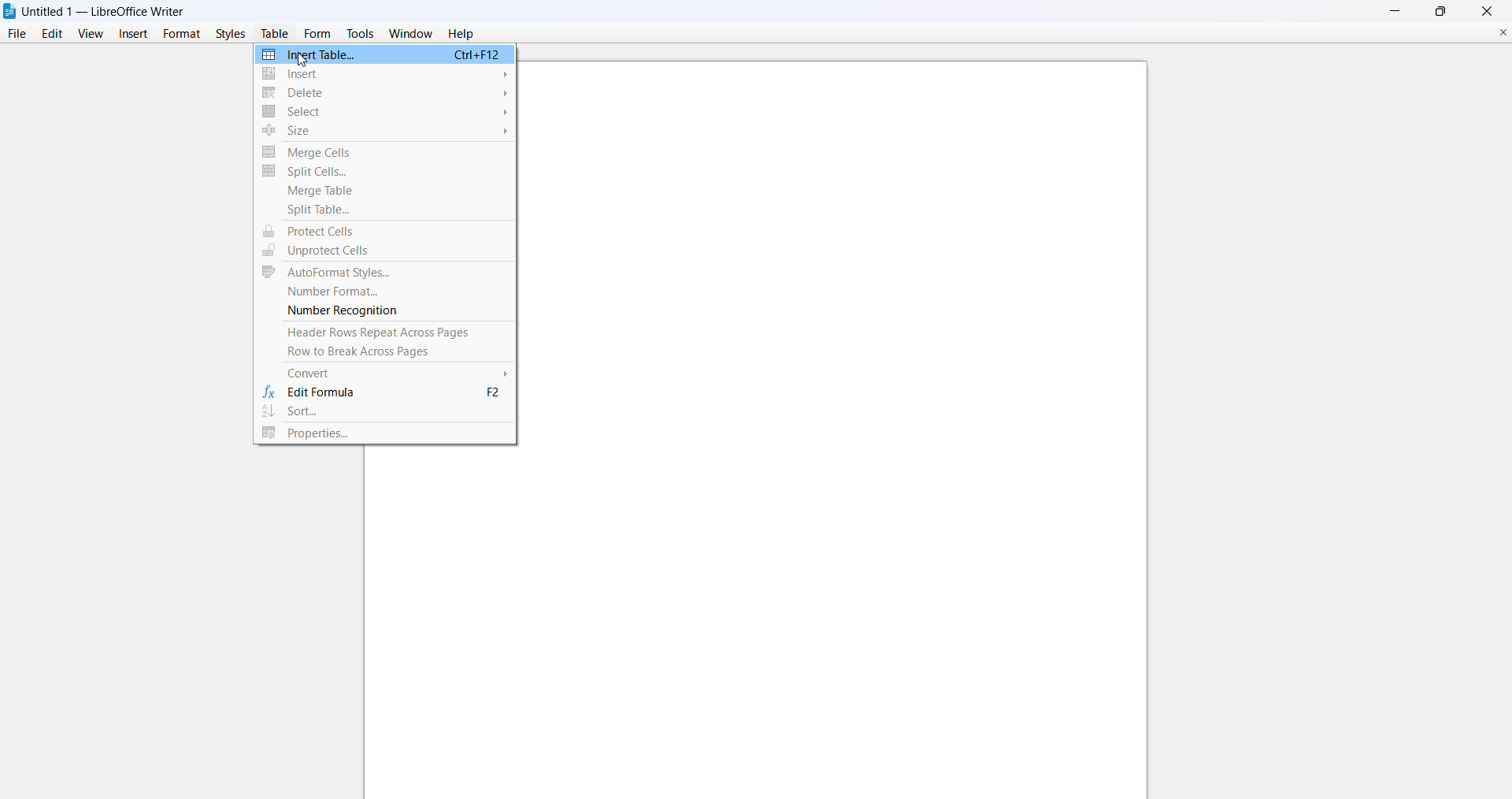 The height and width of the screenshot is (799, 1512). What do you see at coordinates (384, 54) in the screenshot?
I see `insert table       Ctrl+F12` at bounding box center [384, 54].